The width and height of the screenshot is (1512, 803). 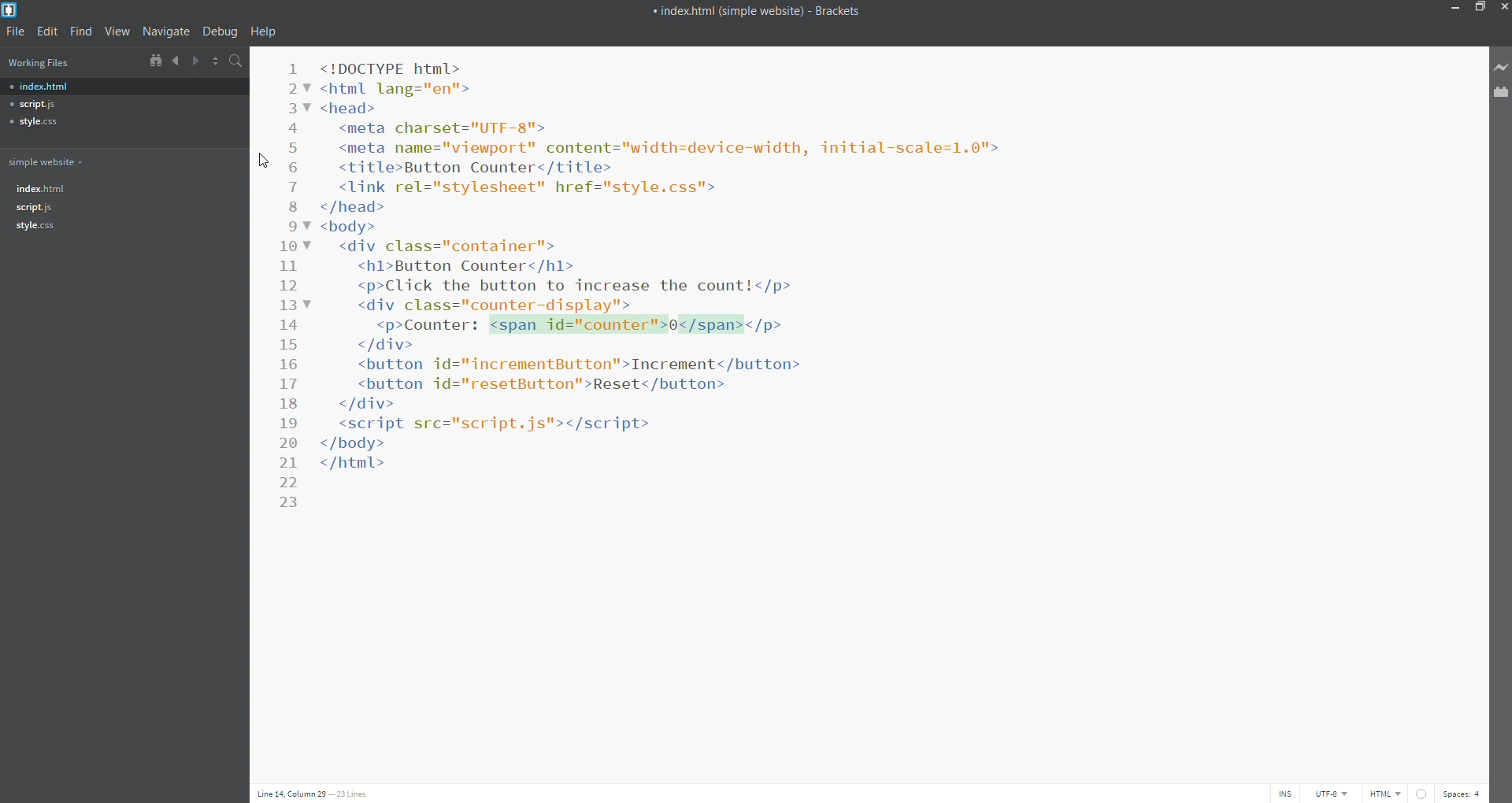 What do you see at coordinates (235, 61) in the screenshot?
I see `search` at bounding box center [235, 61].